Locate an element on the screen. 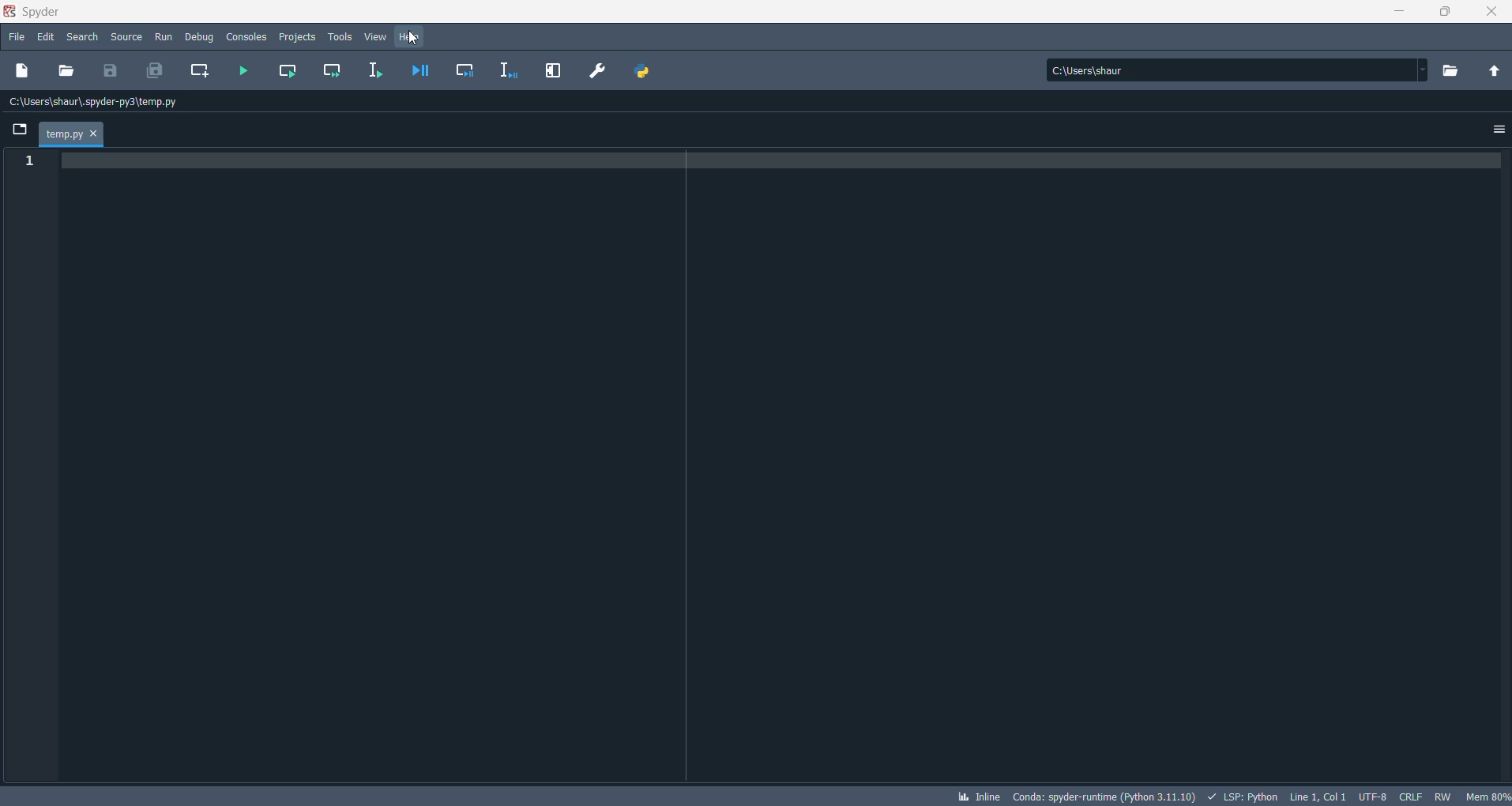  close is located at coordinates (1491, 13).